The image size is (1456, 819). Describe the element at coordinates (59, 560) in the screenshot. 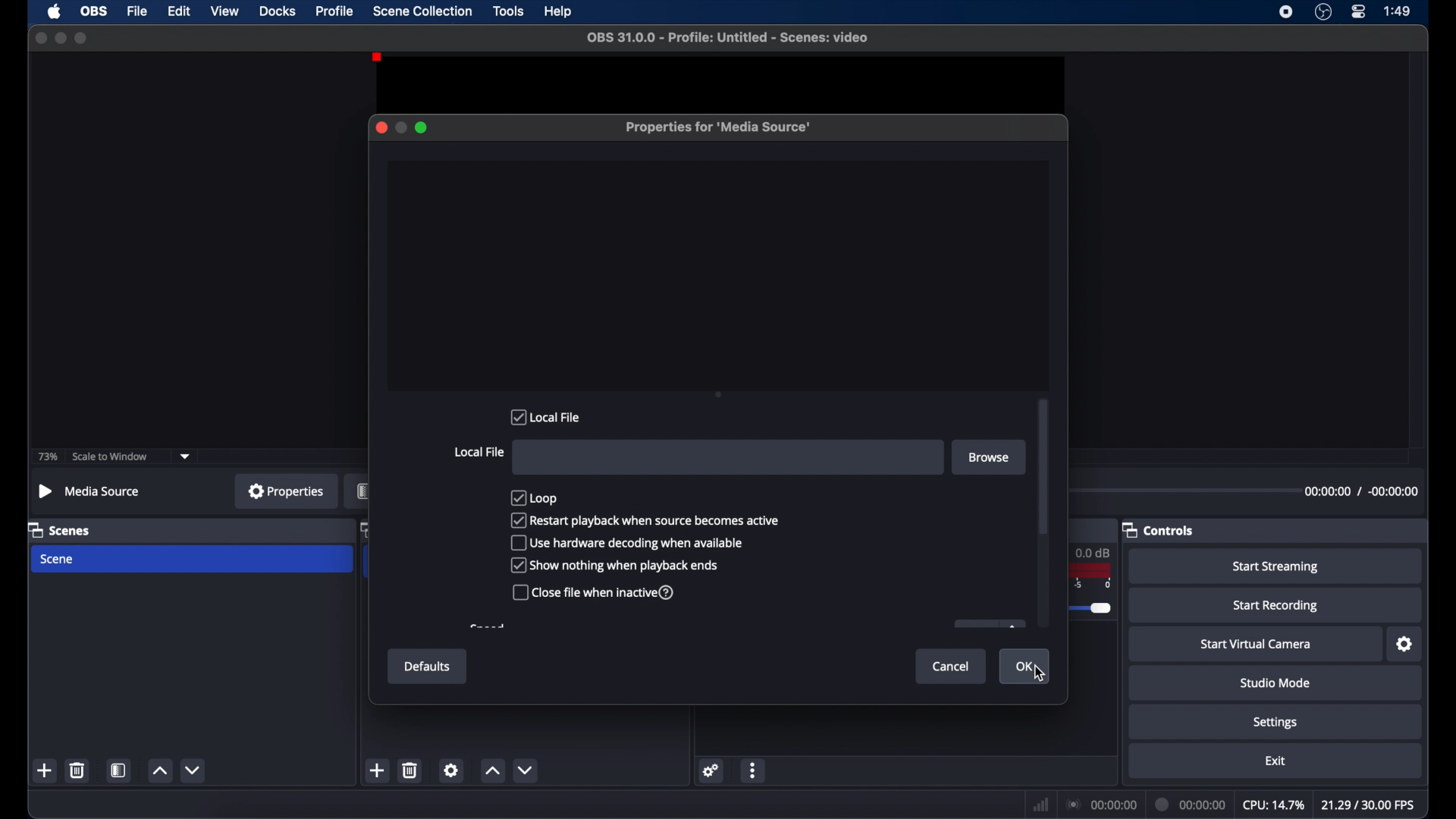

I see `scene` at that location.